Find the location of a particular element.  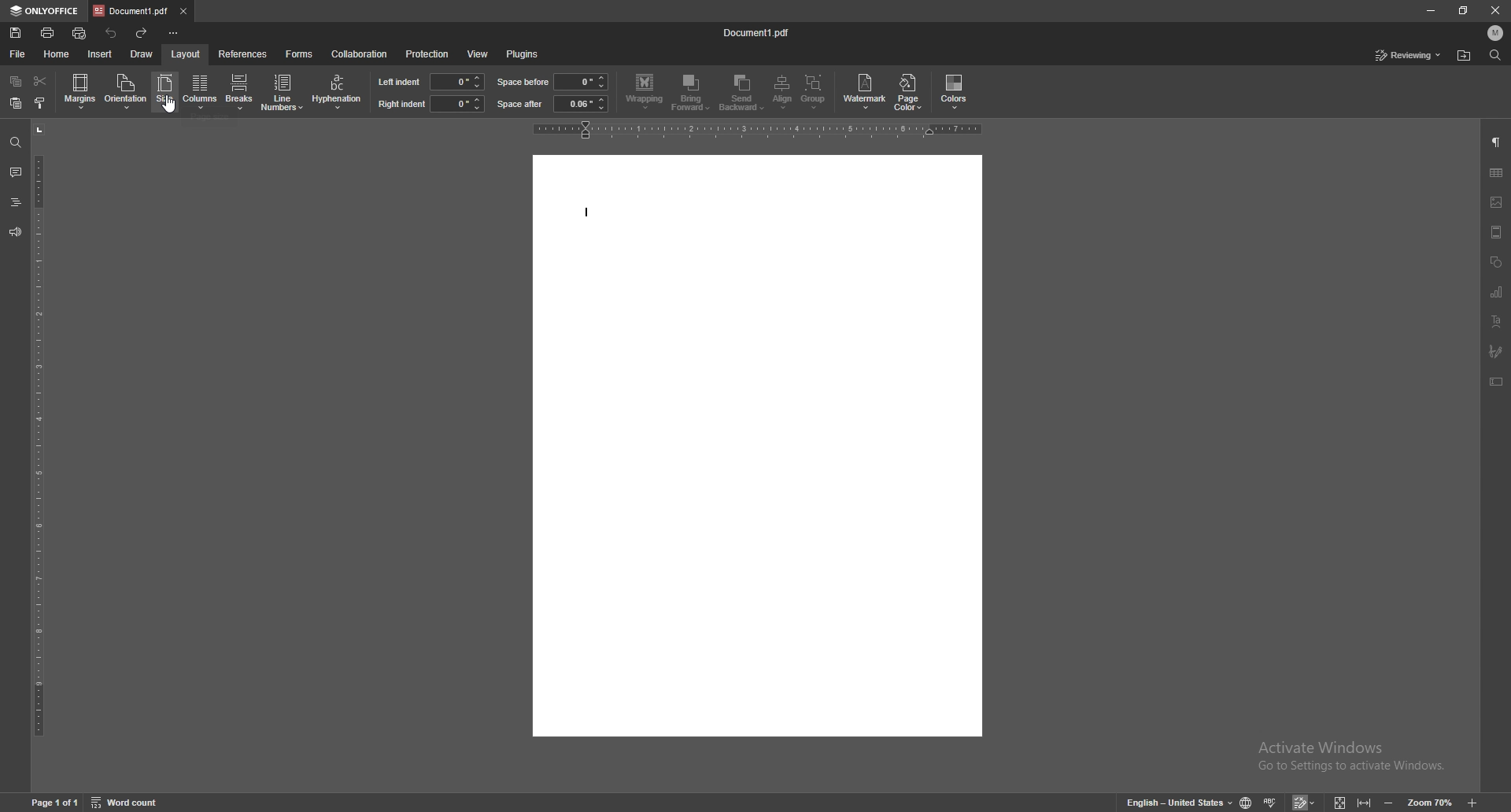

header and footer is located at coordinates (1496, 232).